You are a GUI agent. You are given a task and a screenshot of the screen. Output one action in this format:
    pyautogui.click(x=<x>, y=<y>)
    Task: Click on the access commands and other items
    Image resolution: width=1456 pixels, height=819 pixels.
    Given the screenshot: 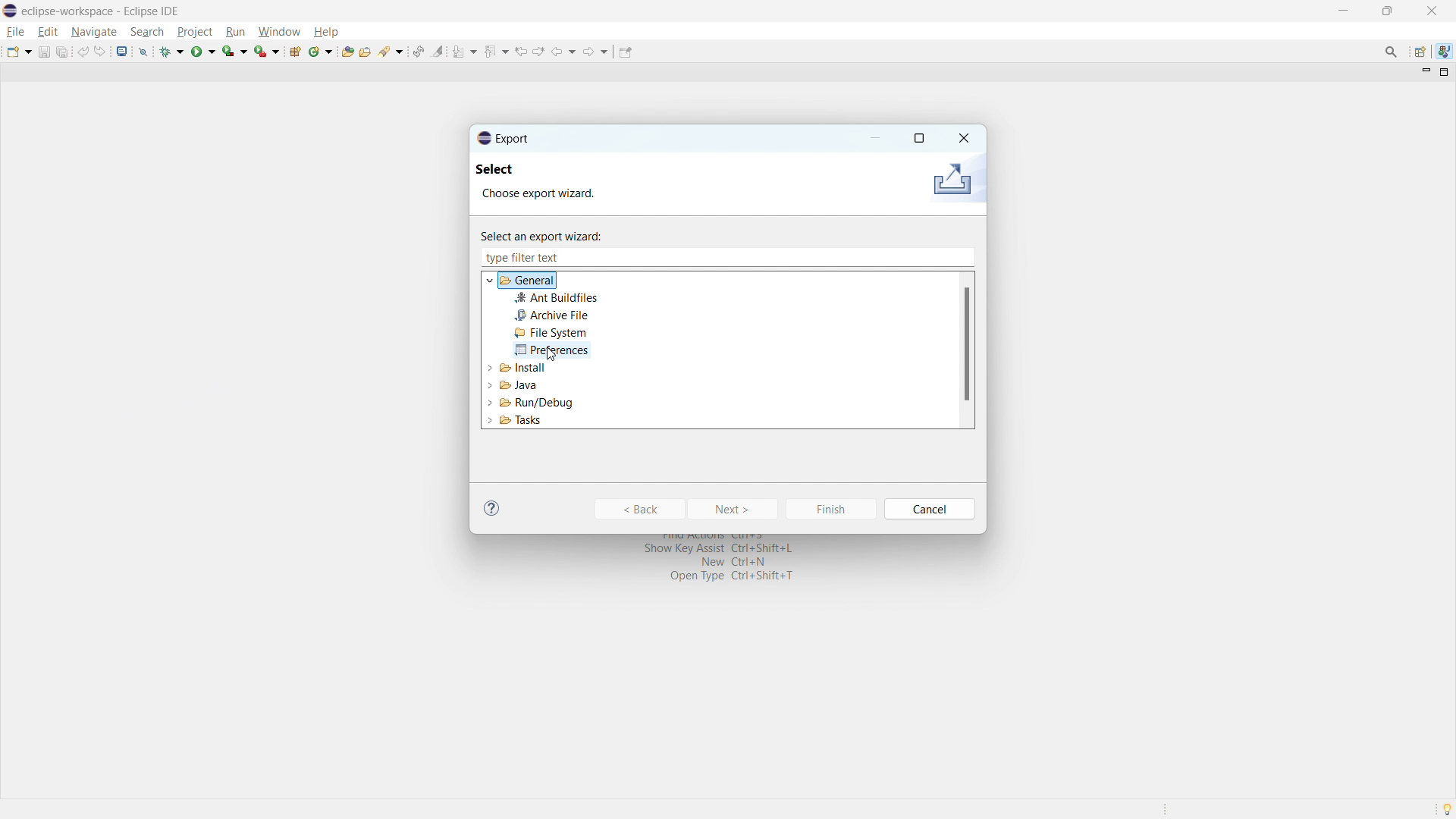 What is the action you would take?
    pyautogui.click(x=1392, y=51)
    